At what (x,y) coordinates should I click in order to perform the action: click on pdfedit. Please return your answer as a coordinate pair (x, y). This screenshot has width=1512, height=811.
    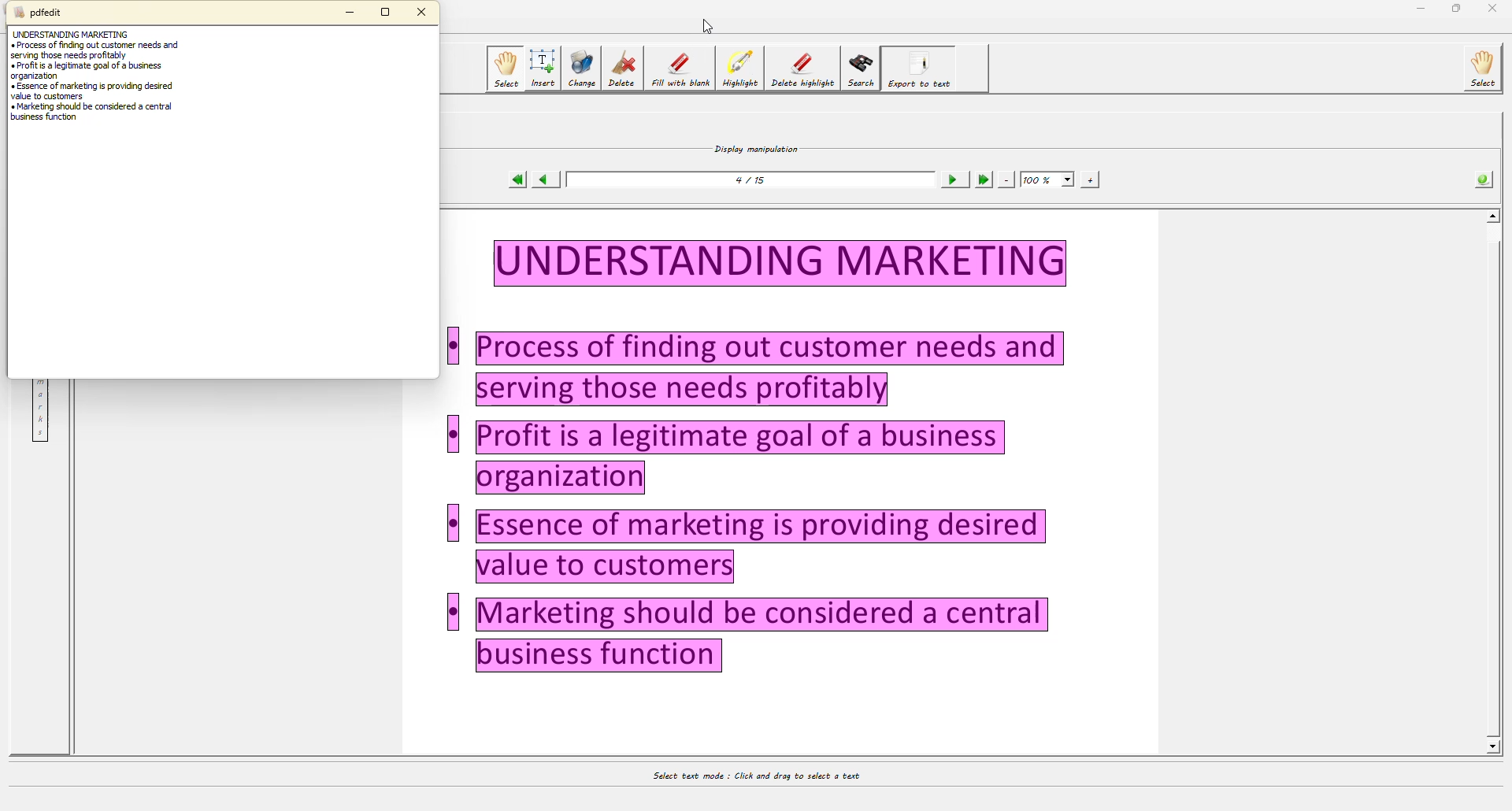
    Looking at the image, I should click on (36, 12).